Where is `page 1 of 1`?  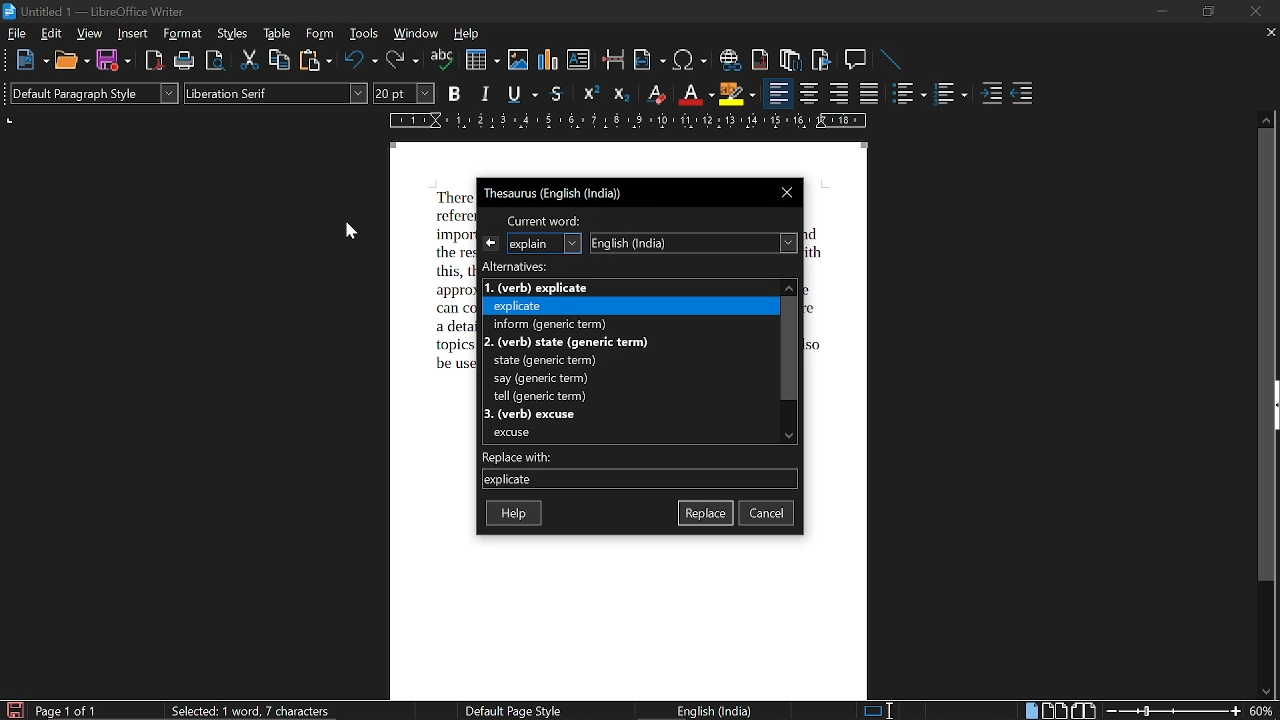
page 1 of 1 is located at coordinates (67, 711).